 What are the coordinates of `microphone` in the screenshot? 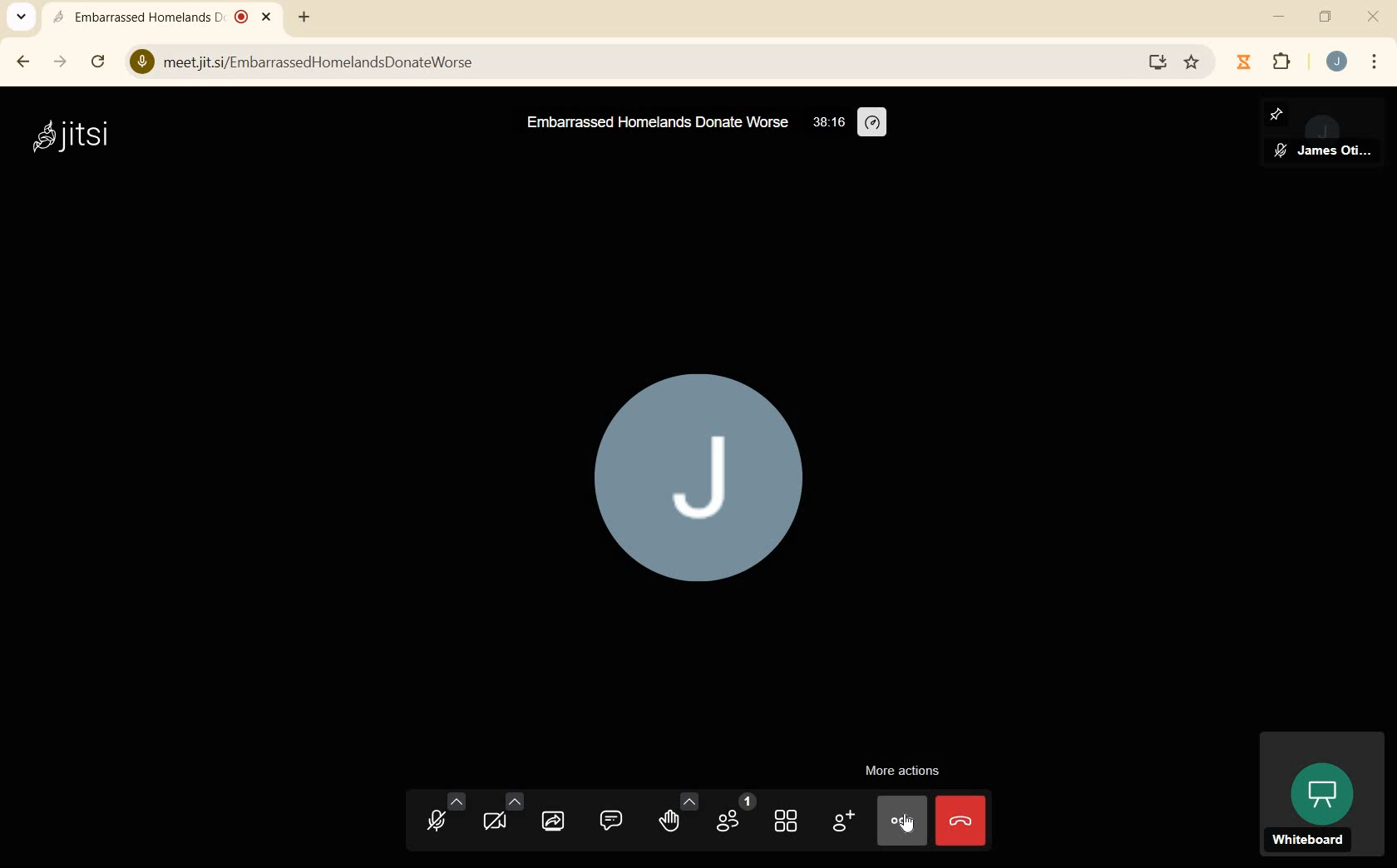 It's located at (442, 815).